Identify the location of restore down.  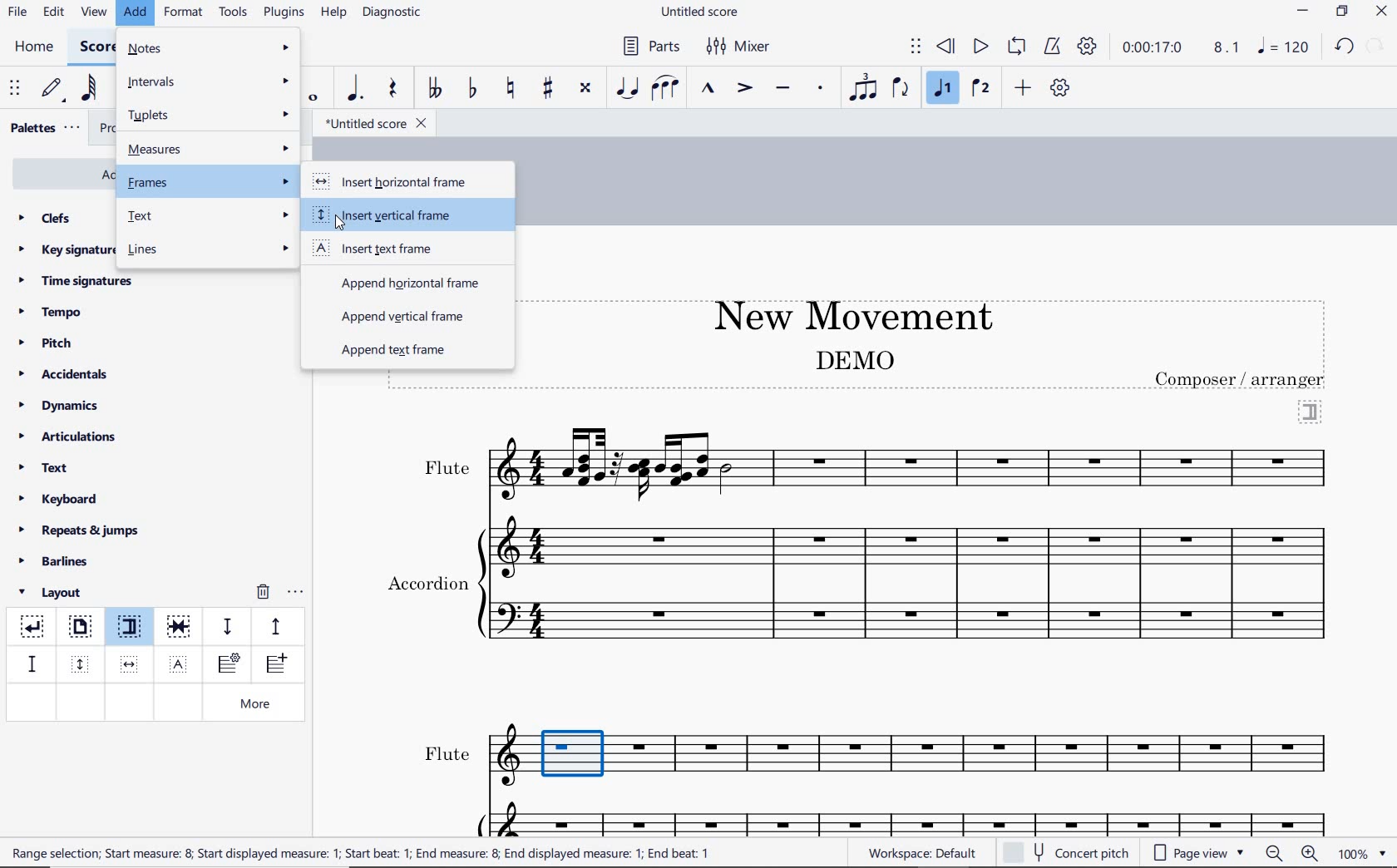
(1343, 12).